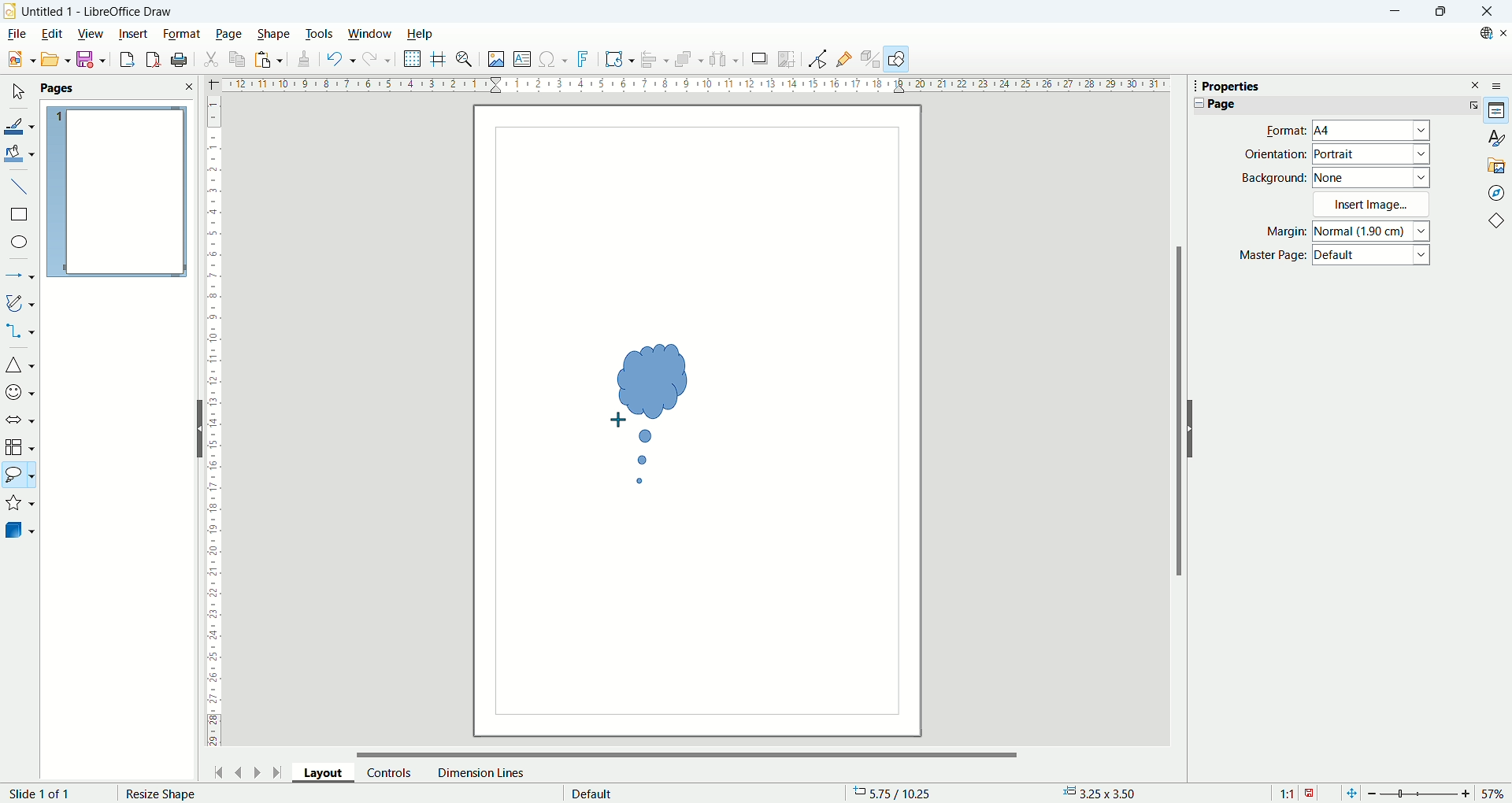 This screenshot has width=1512, height=803. Describe the element at coordinates (43, 794) in the screenshot. I see `slide number` at that location.